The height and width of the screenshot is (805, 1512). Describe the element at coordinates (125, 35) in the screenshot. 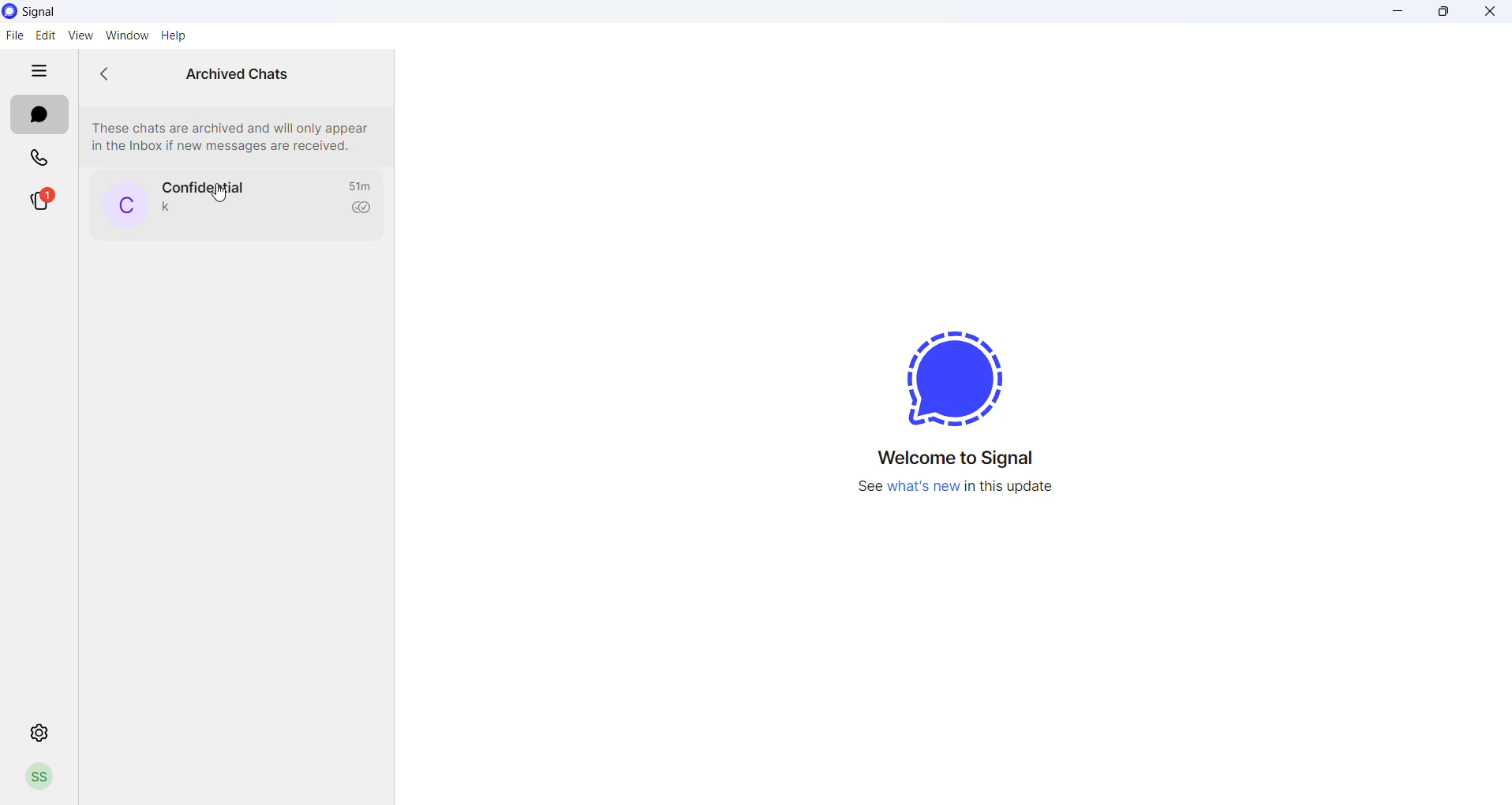

I see `window` at that location.